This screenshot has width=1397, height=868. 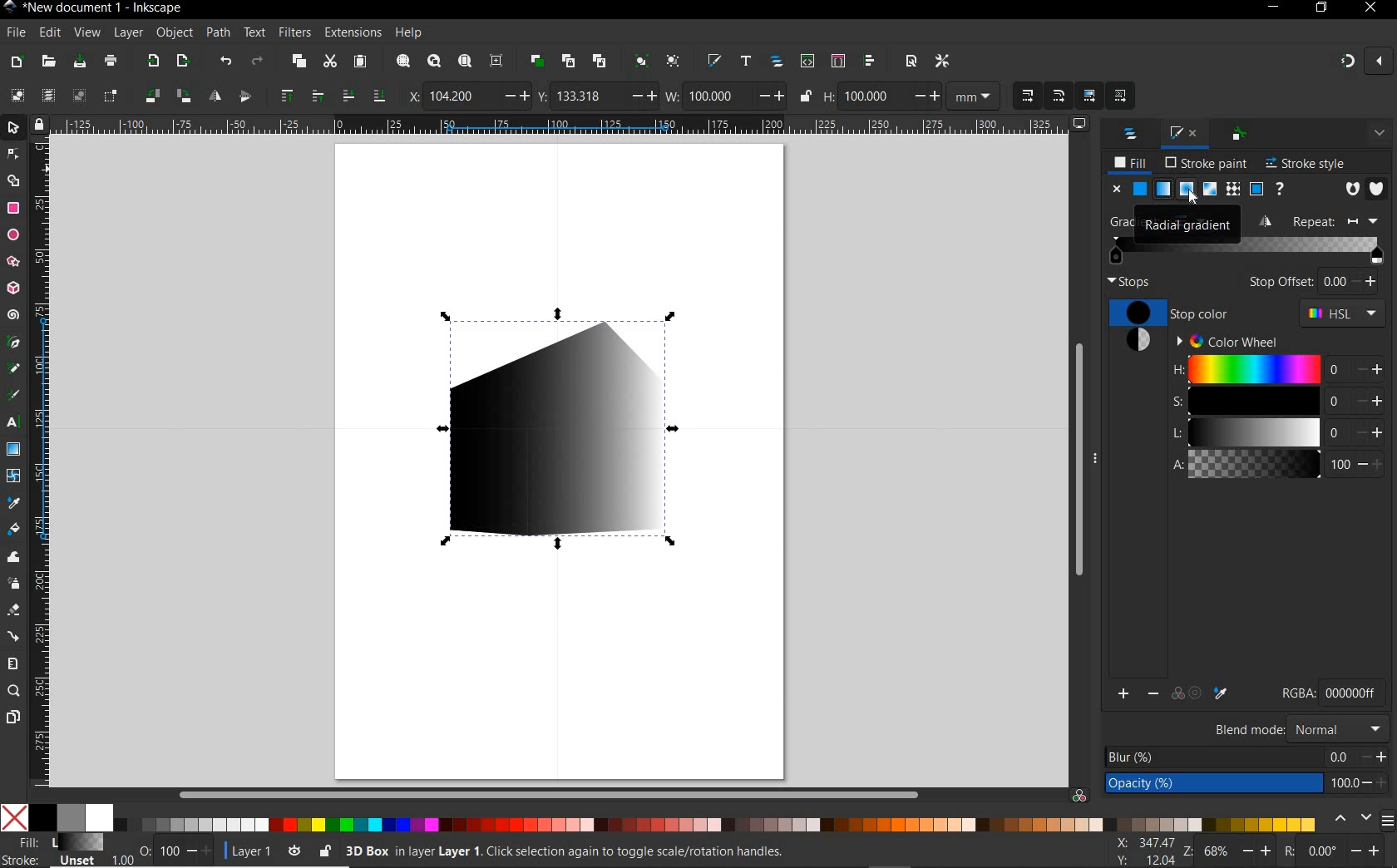 What do you see at coordinates (1325, 851) in the screenshot?
I see `0` at bounding box center [1325, 851].